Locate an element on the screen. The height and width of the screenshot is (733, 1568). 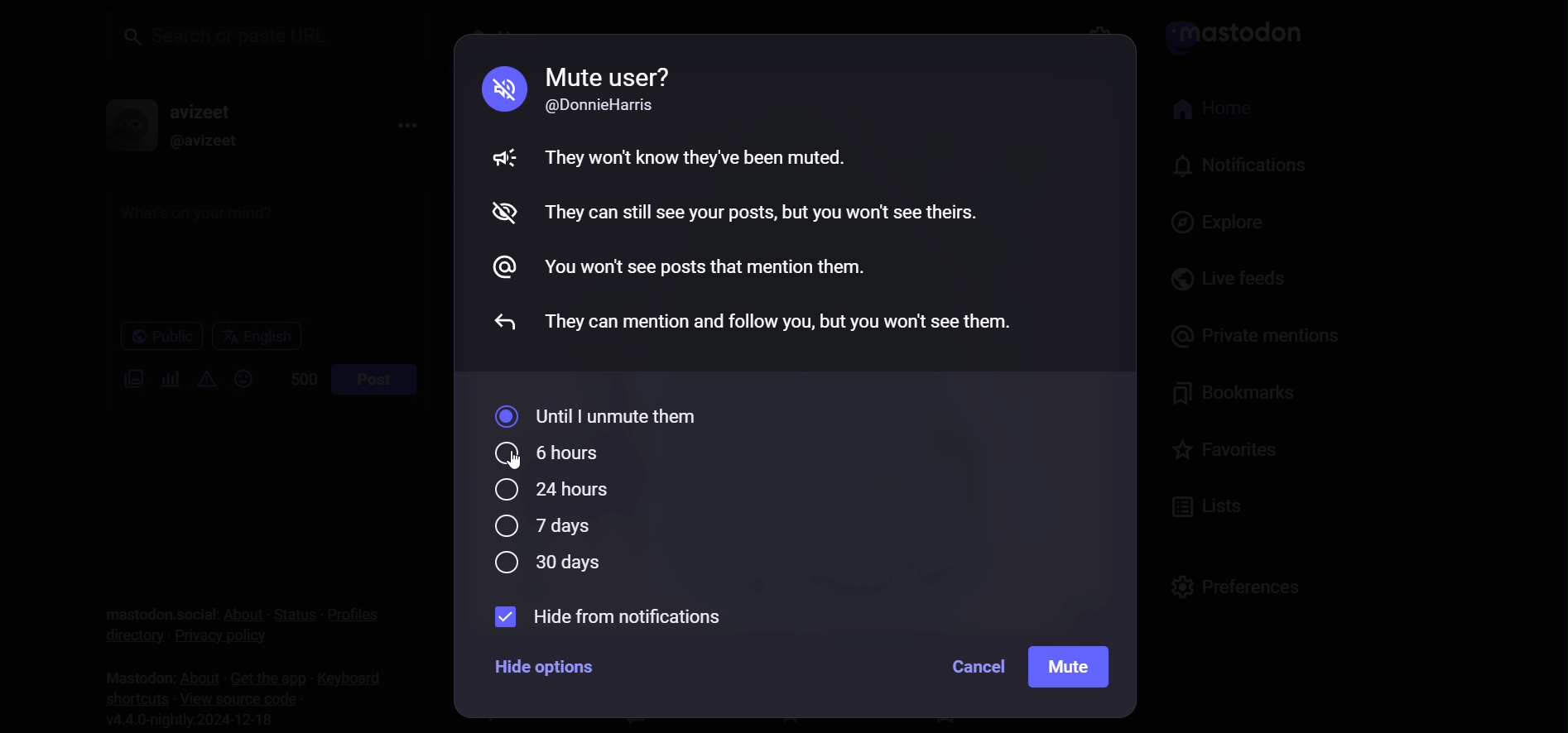
until I unmute them is located at coordinates (601, 417).